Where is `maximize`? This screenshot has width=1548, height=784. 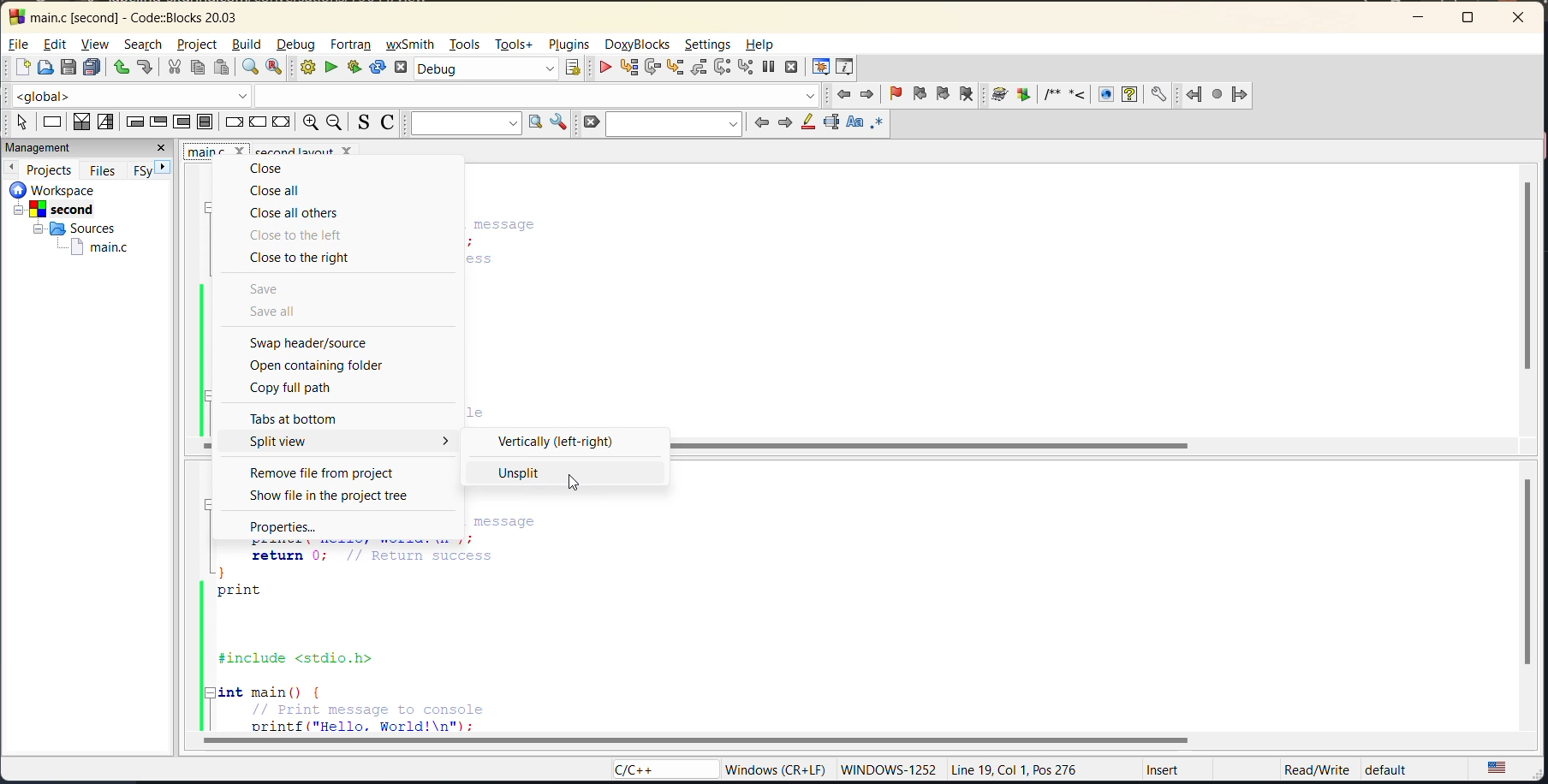 maximize is located at coordinates (1473, 20).